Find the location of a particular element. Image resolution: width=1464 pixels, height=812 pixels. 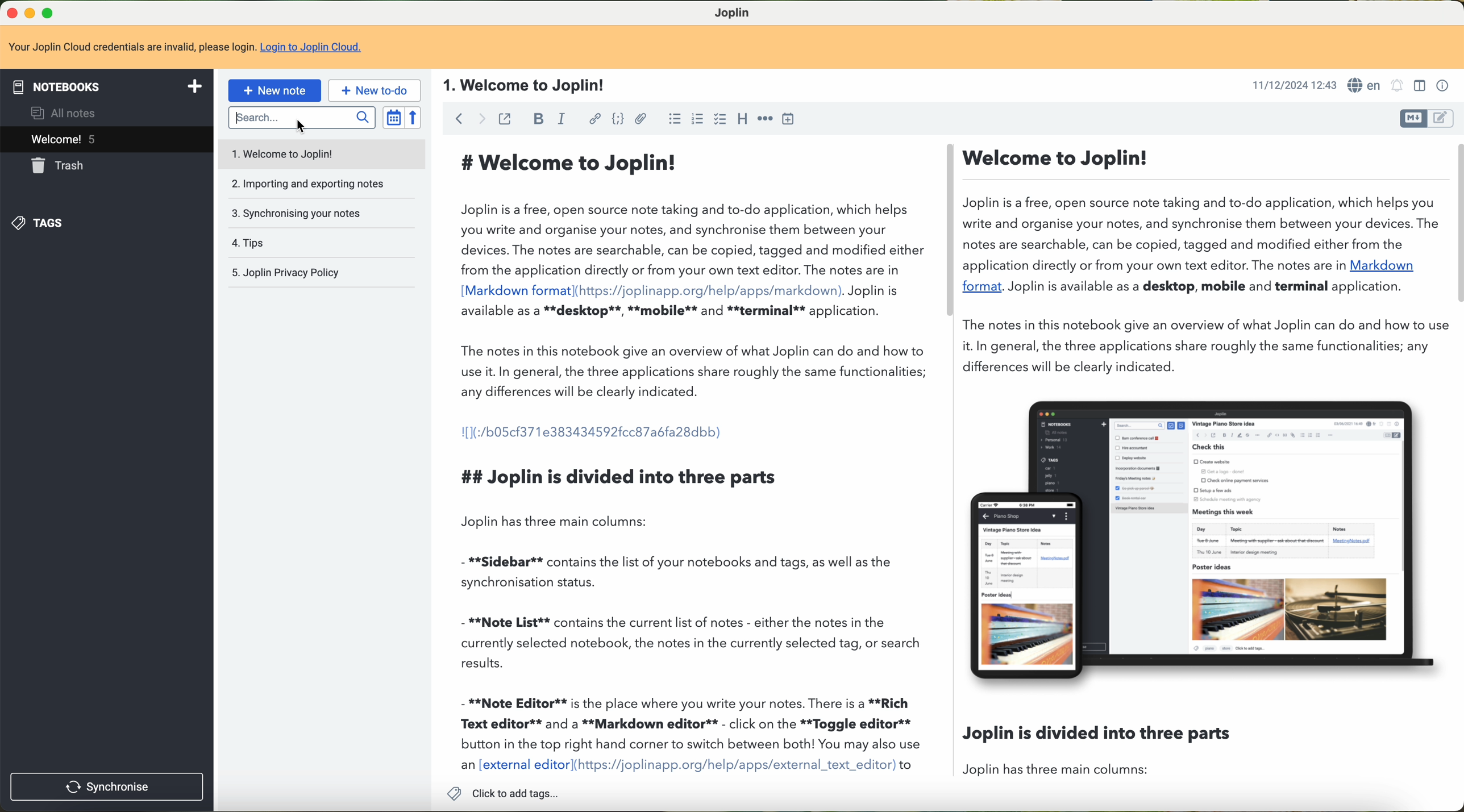

toggle editor layout is located at coordinates (1419, 86).